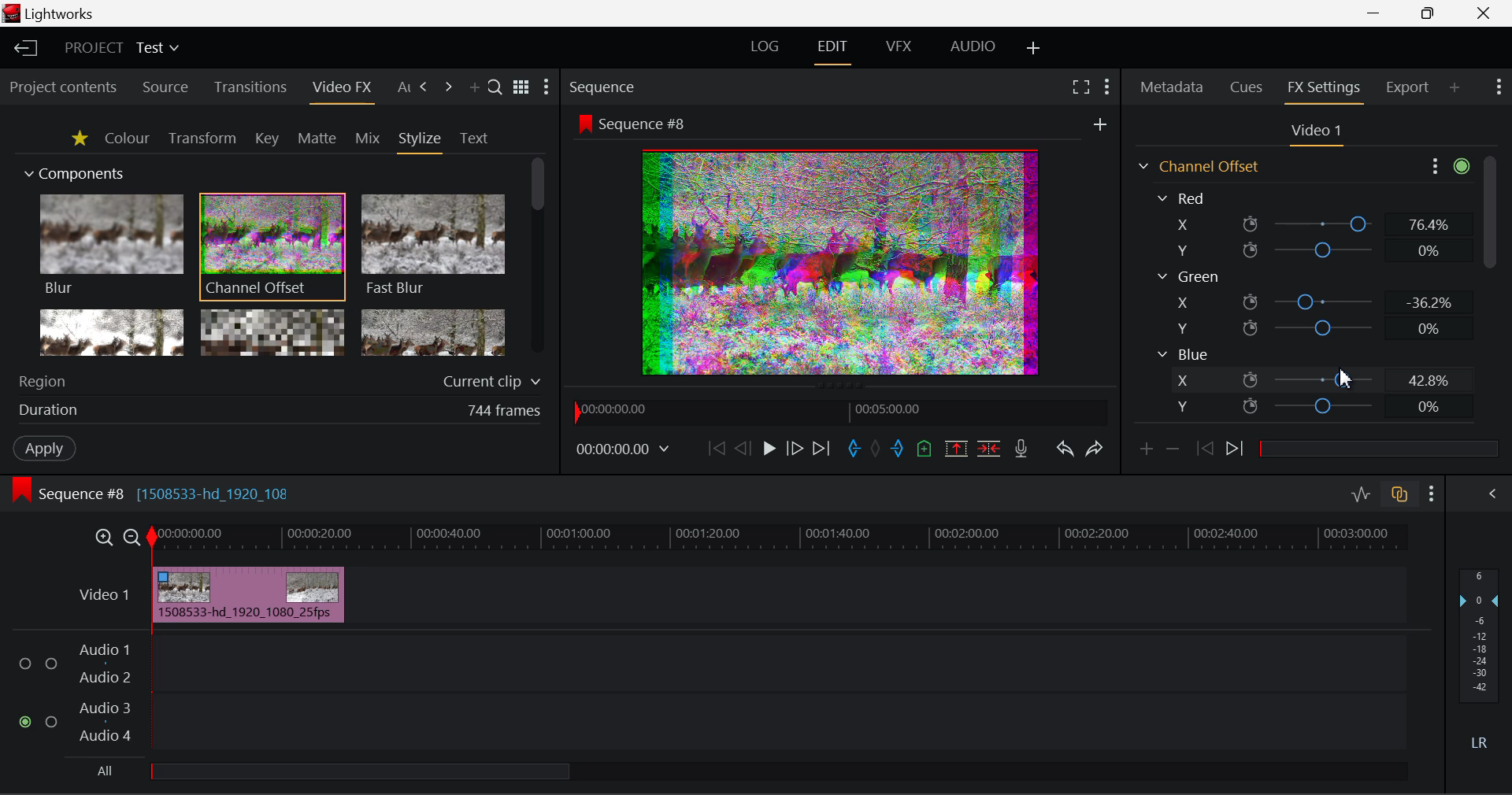  Describe the element at coordinates (1021, 450) in the screenshot. I see `Record Voiceover` at that location.